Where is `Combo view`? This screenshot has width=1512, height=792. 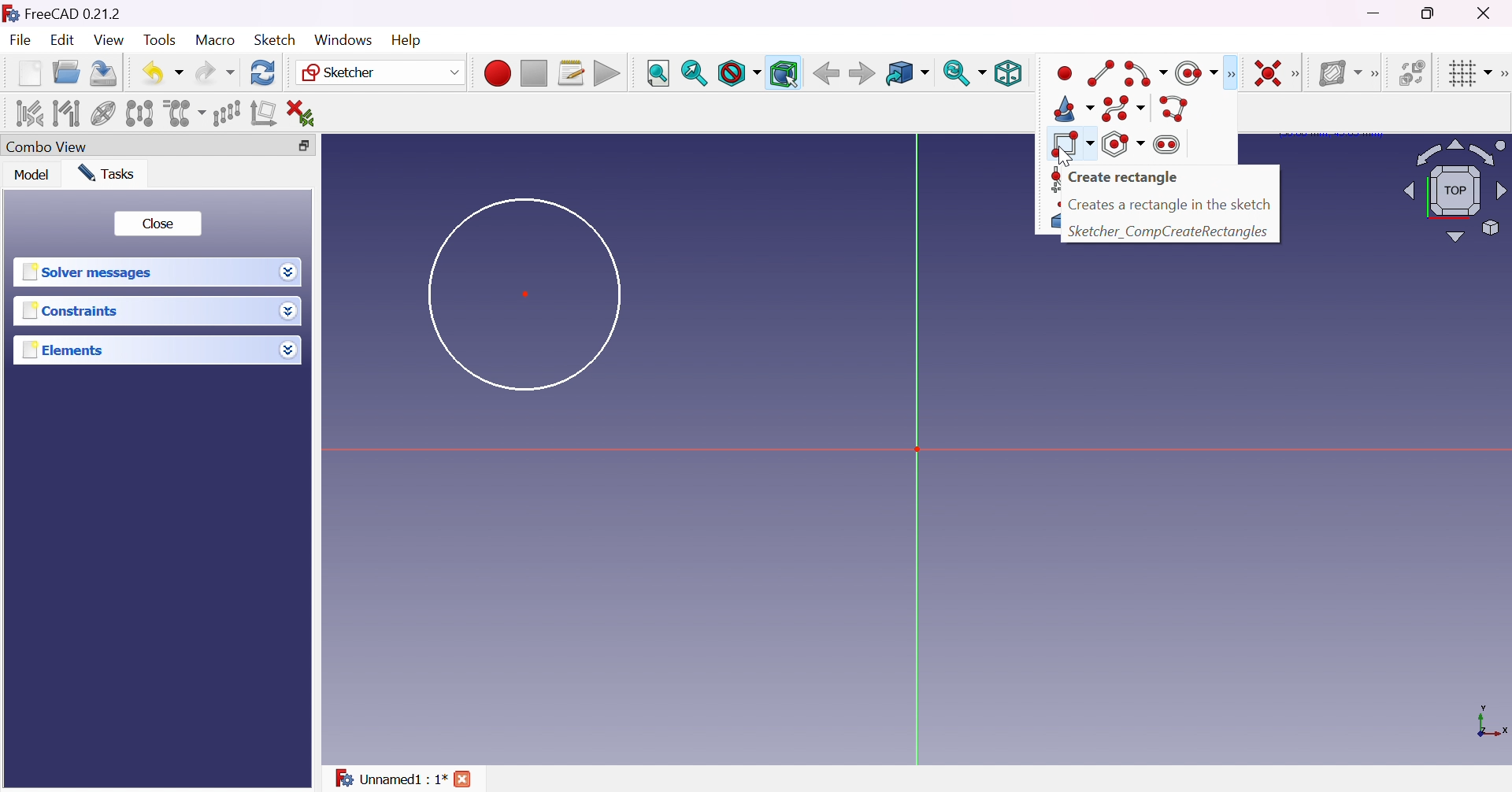 Combo view is located at coordinates (46, 148).